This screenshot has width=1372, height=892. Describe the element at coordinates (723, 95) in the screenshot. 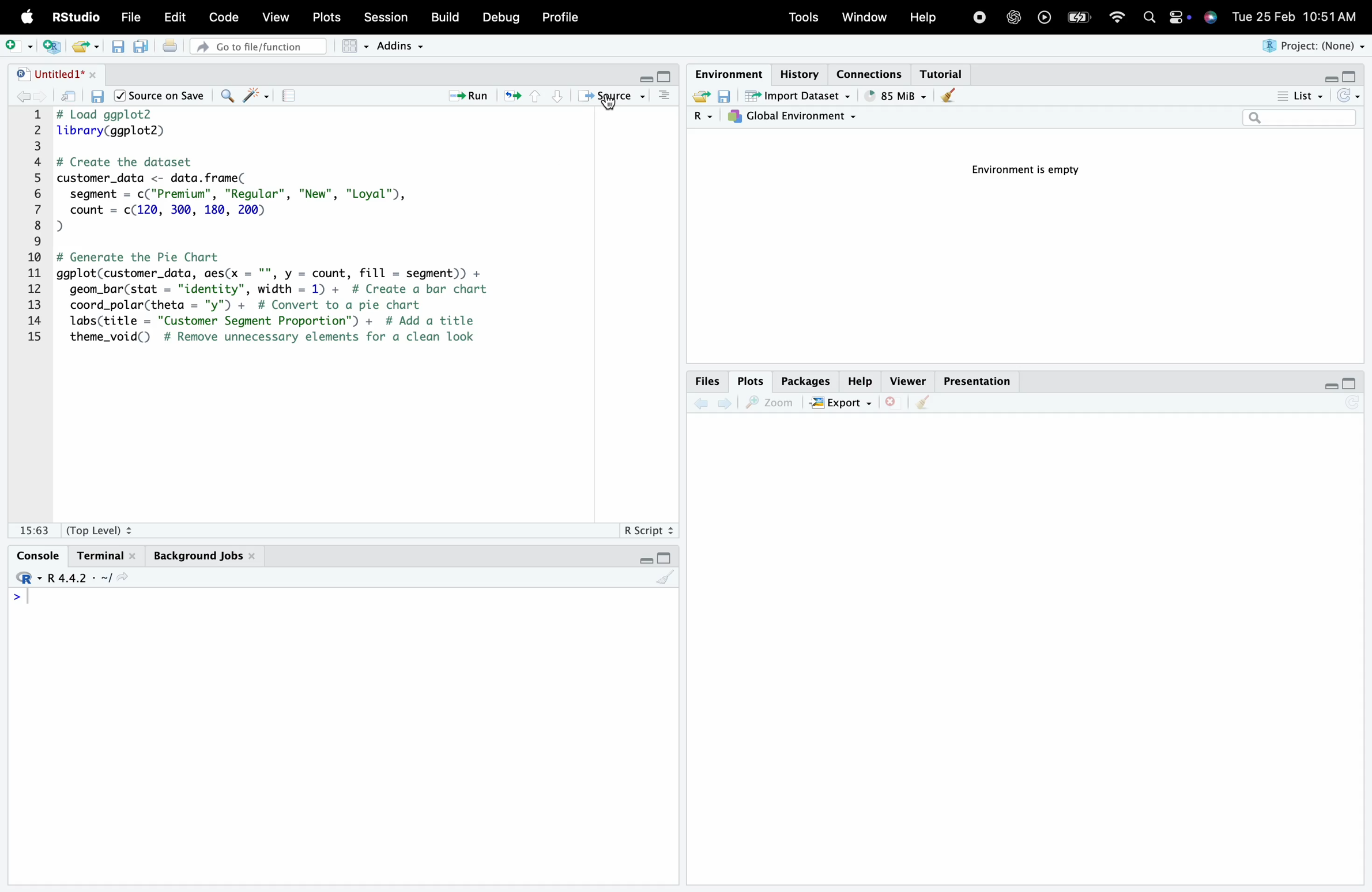

I see `save environment variables` at that location.